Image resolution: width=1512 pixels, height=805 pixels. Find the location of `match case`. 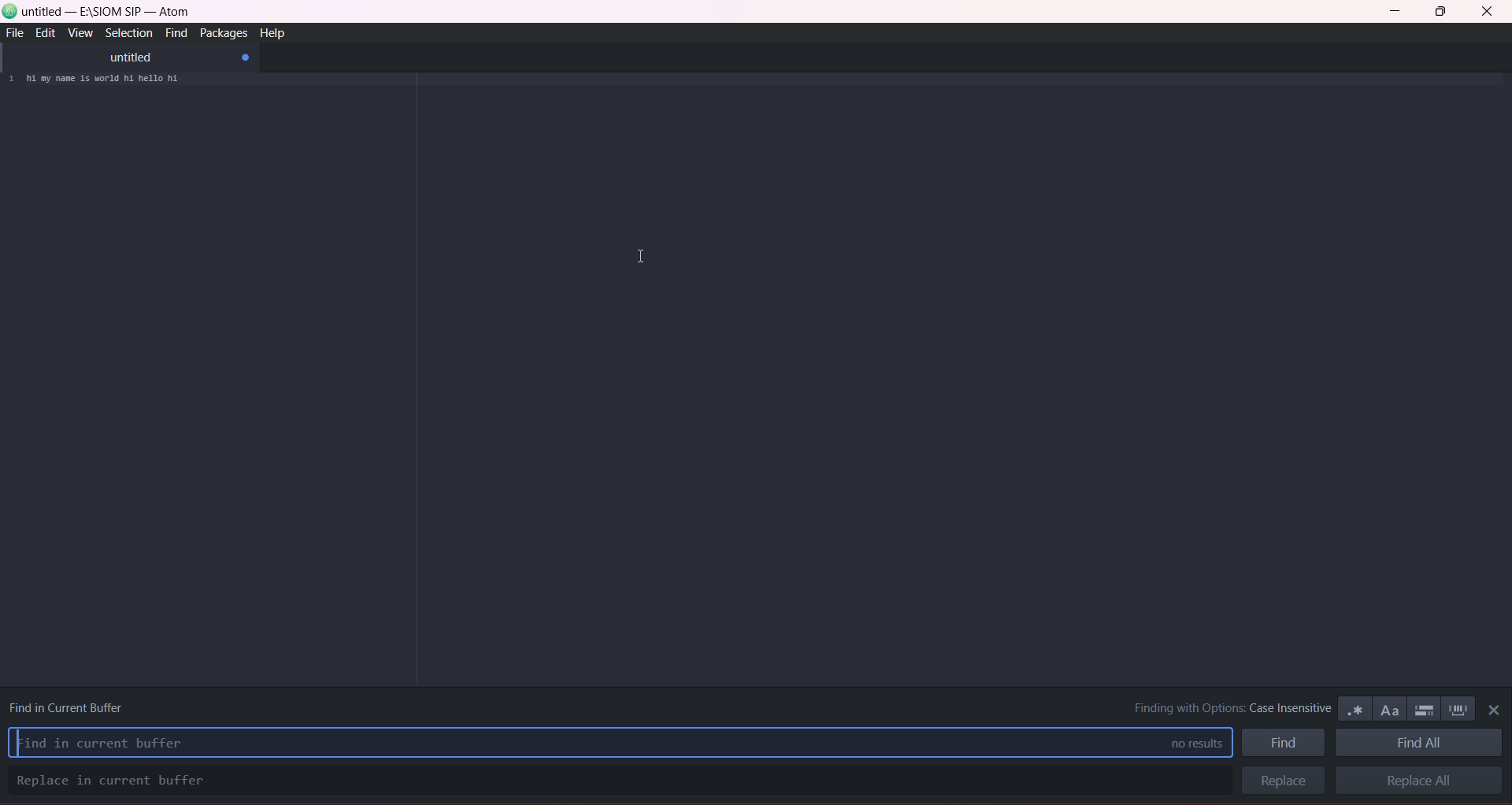

match case is located at coordinates (1387, 707).